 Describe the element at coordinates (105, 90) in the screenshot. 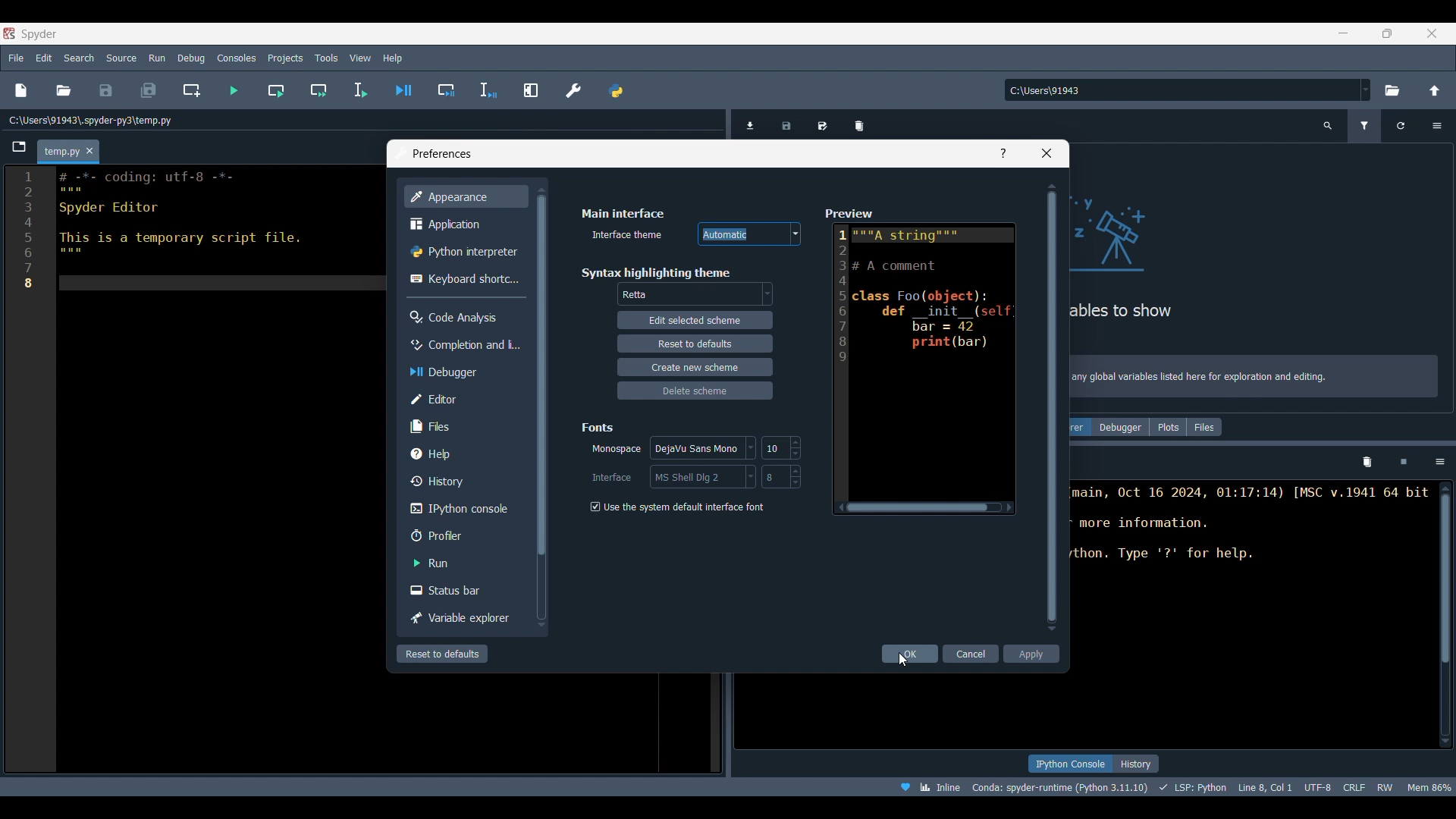

I see `Save` at that location.